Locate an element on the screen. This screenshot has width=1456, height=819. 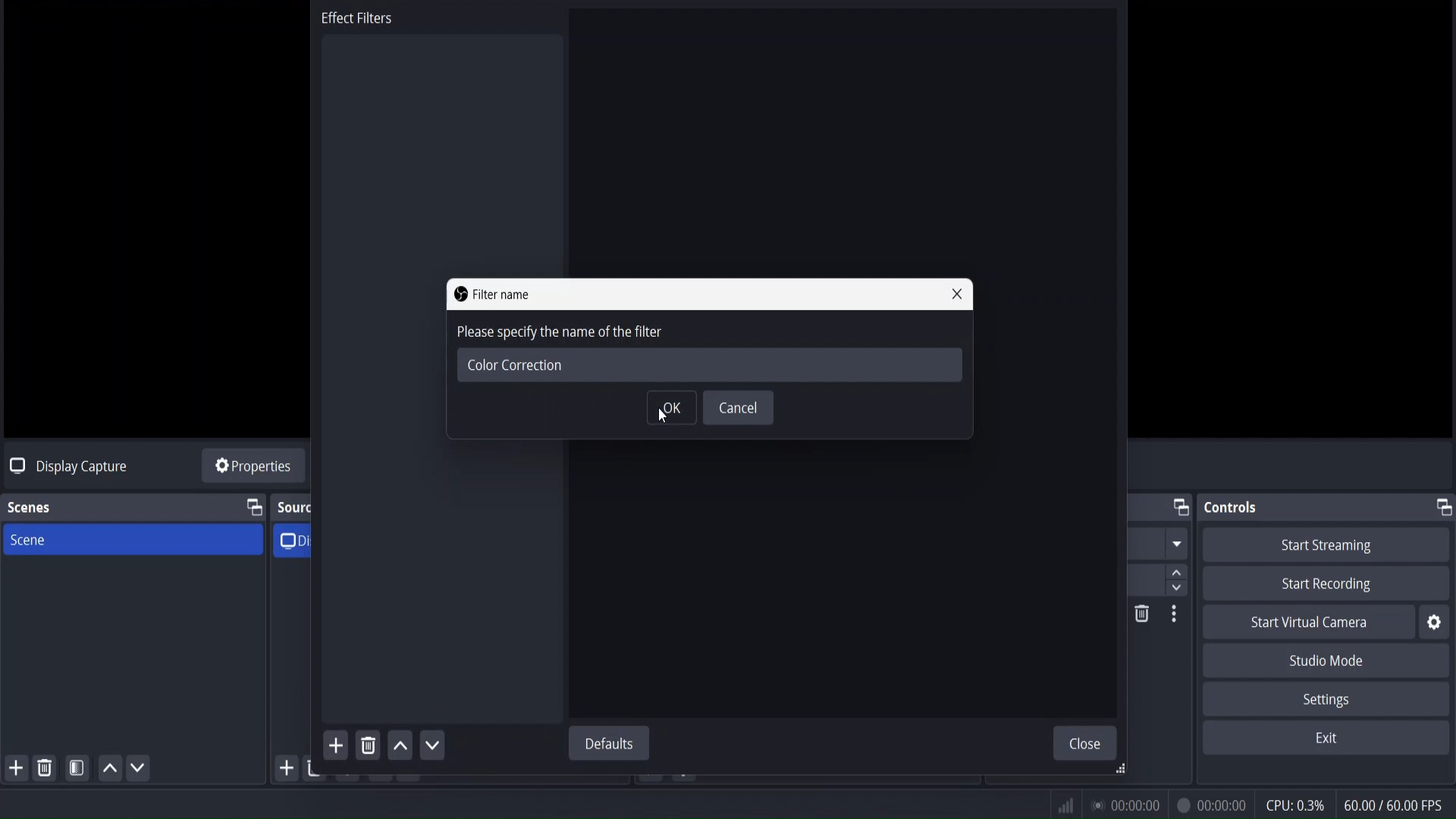
color correction is located at coordinates (513, 365).